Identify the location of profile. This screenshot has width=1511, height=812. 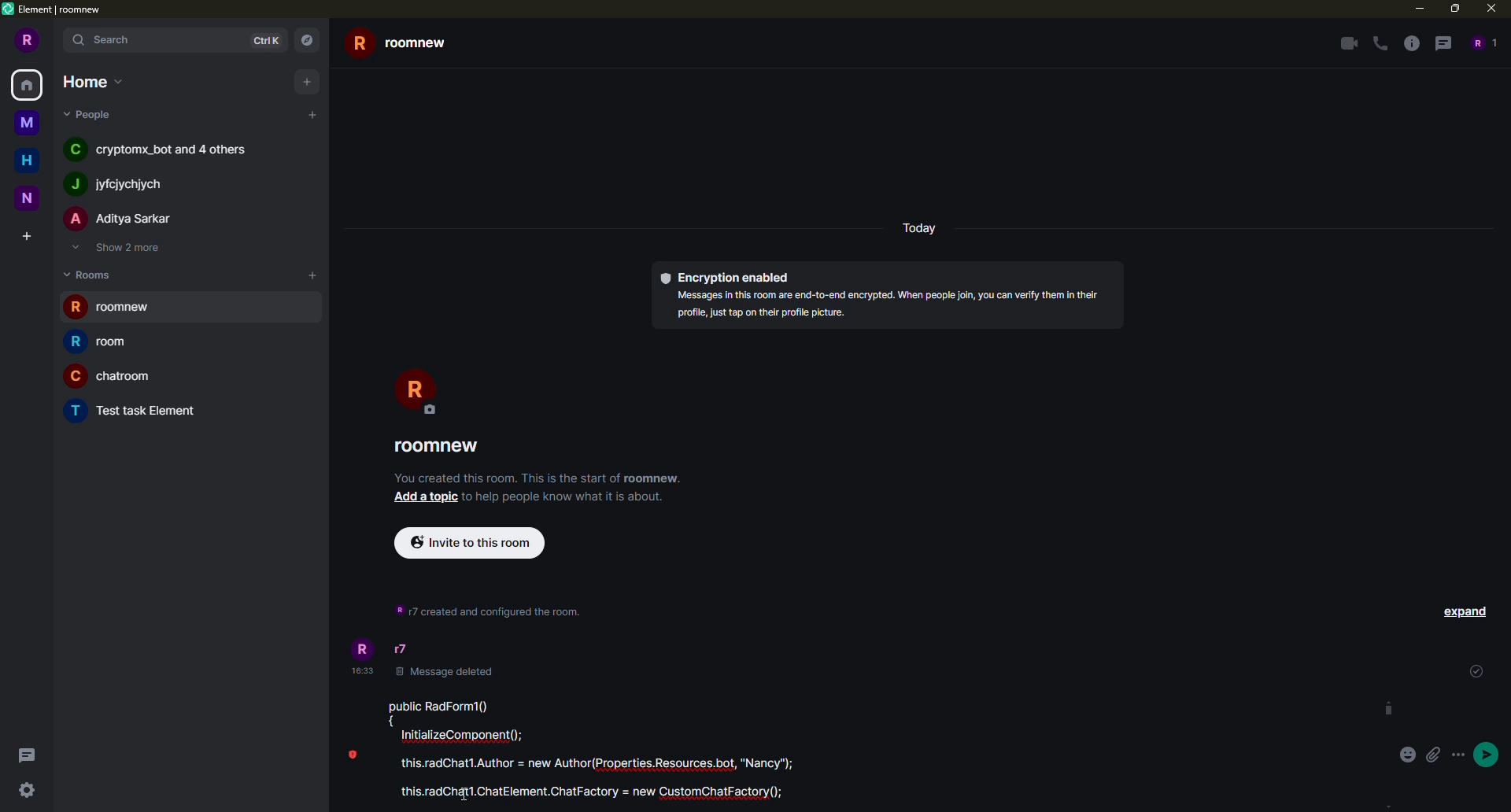
(28, 40).